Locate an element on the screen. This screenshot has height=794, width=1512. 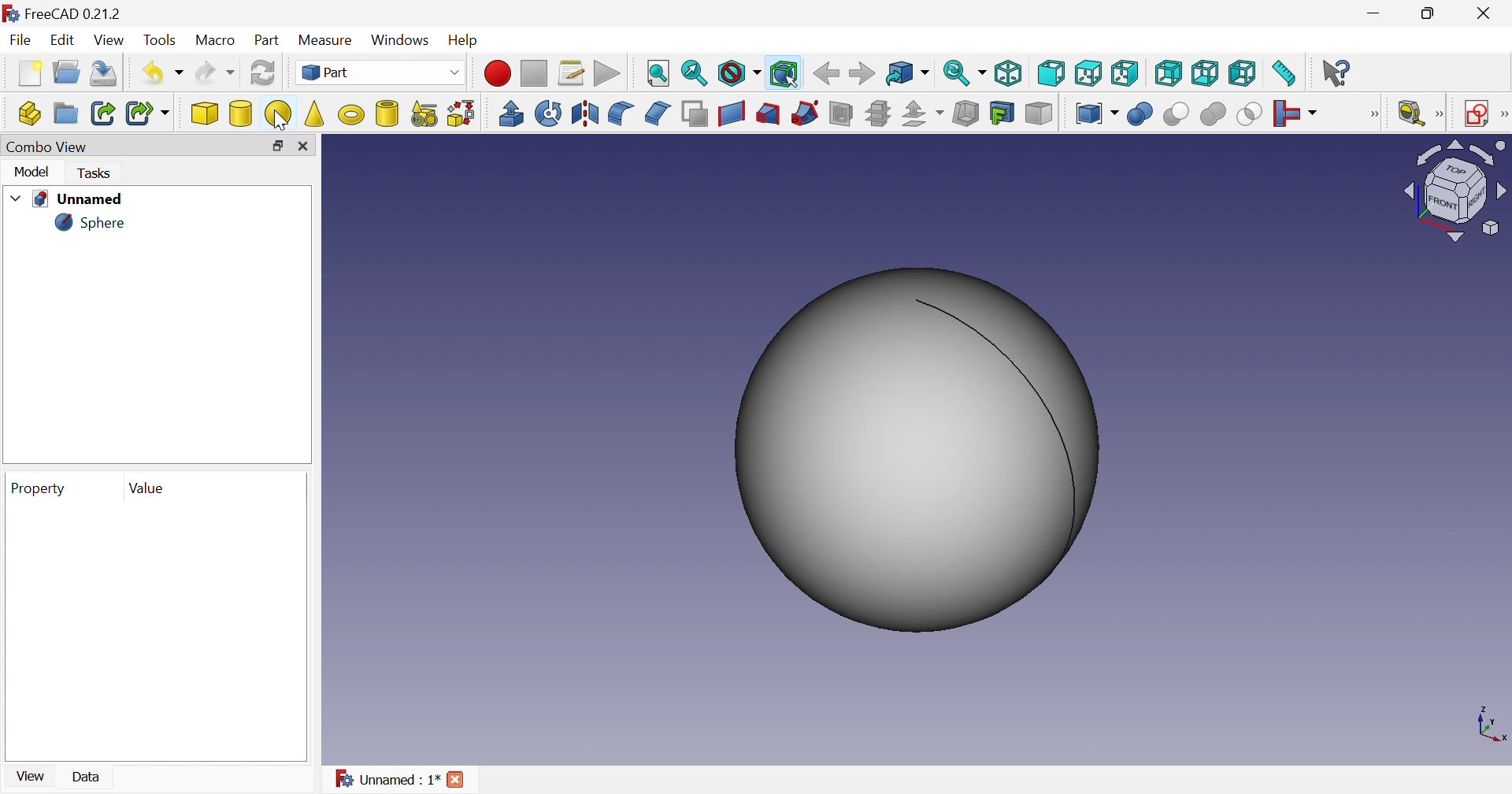
Edit is located at coordinates (64, 39).